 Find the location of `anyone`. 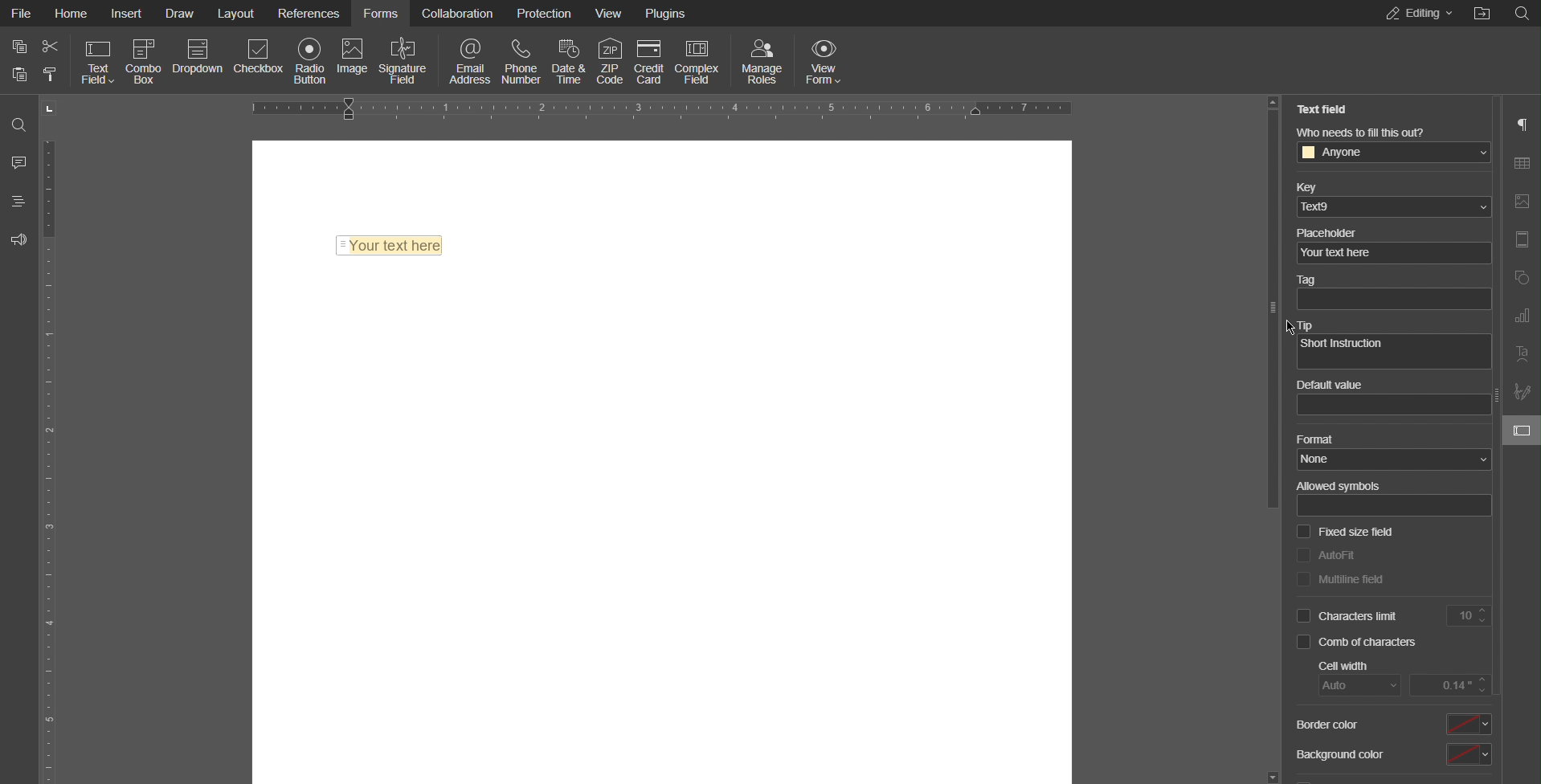

anyone is located at coordinates (1396, 153).